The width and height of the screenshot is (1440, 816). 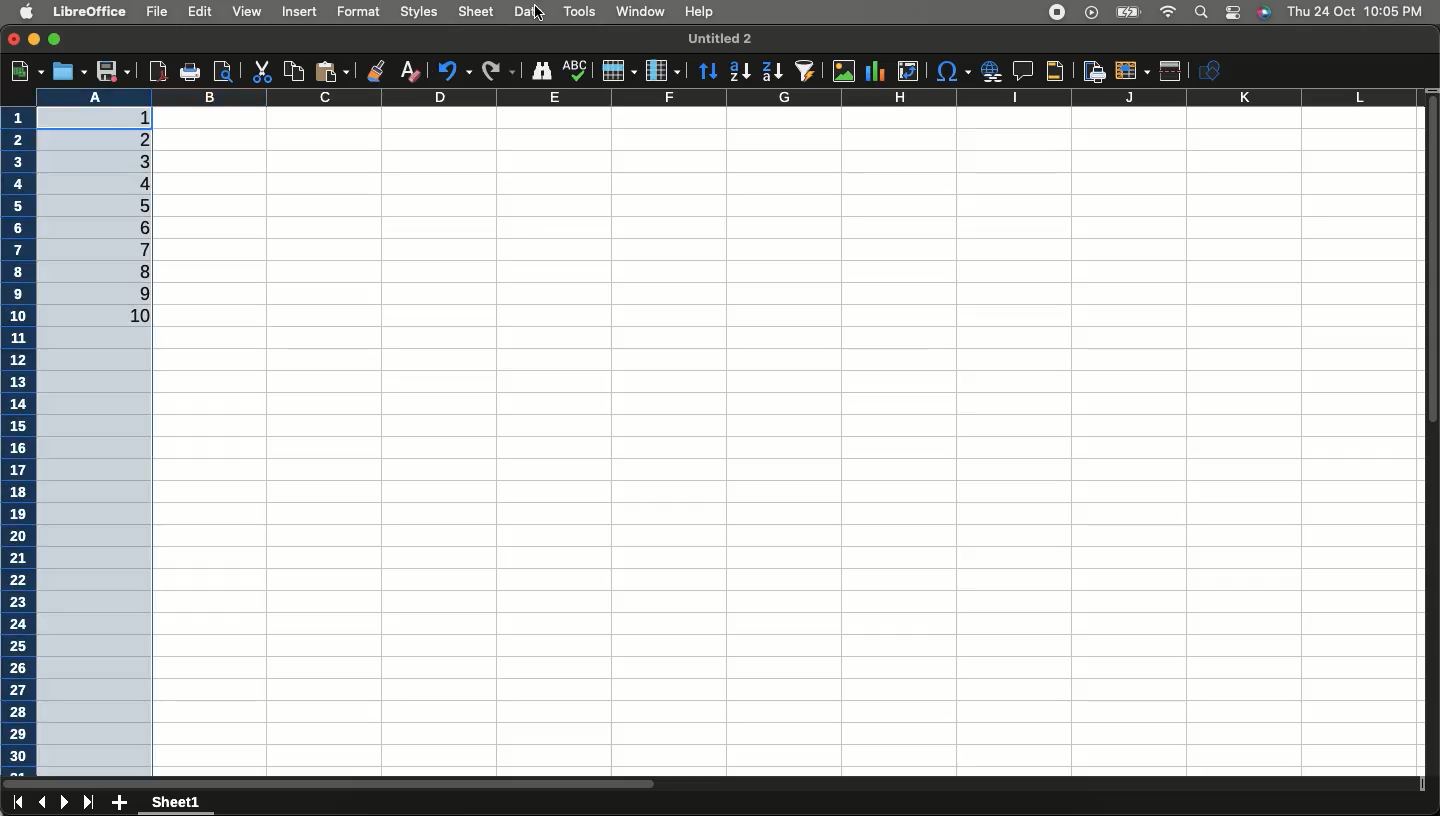 What do you see at coordinates (878, 70) in the screenshot?
I see `Insert chart` at bounding box center [878, 70].